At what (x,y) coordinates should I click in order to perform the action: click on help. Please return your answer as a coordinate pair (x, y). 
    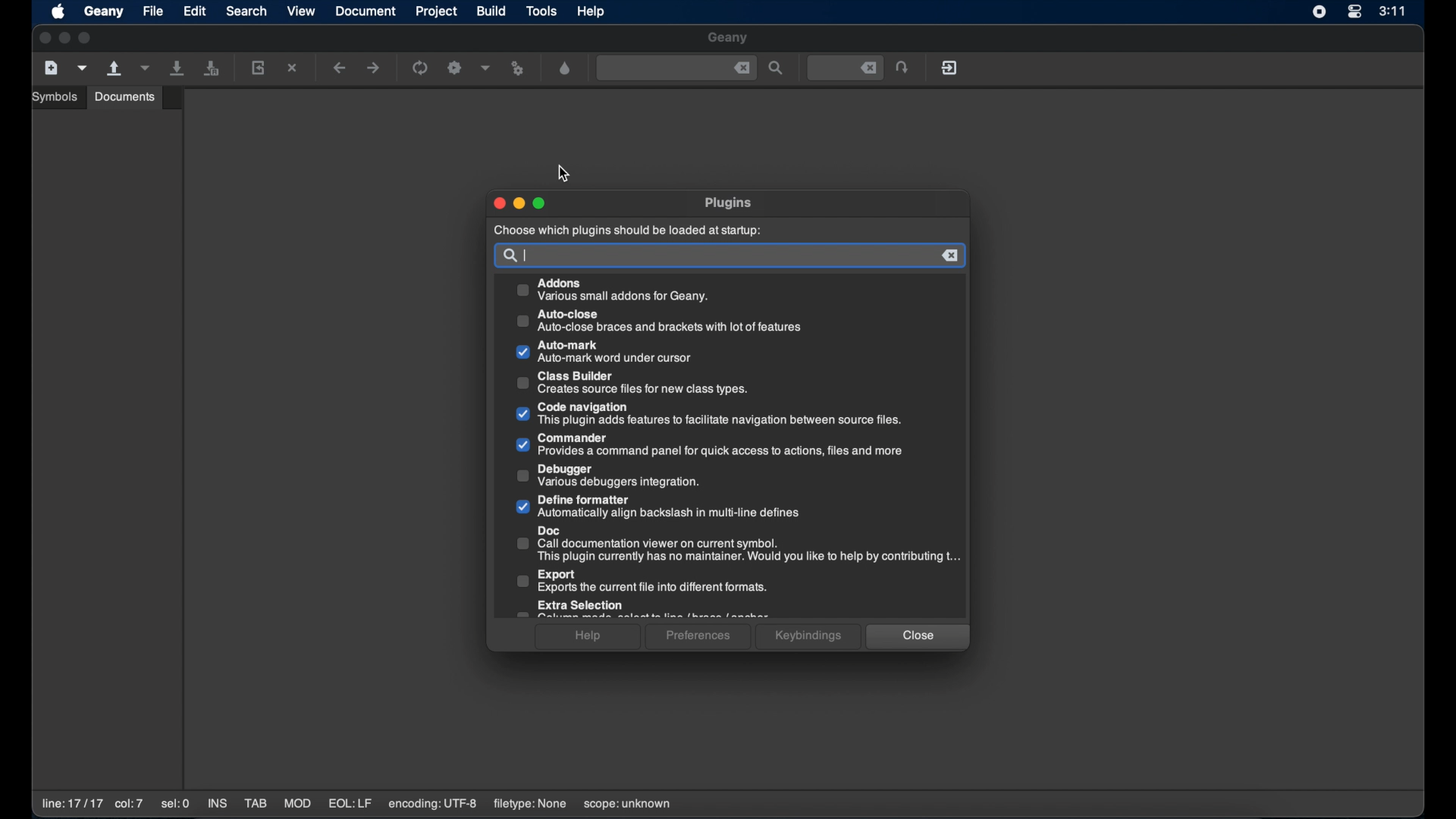
    Looking at the image, I should click on (586, 636).